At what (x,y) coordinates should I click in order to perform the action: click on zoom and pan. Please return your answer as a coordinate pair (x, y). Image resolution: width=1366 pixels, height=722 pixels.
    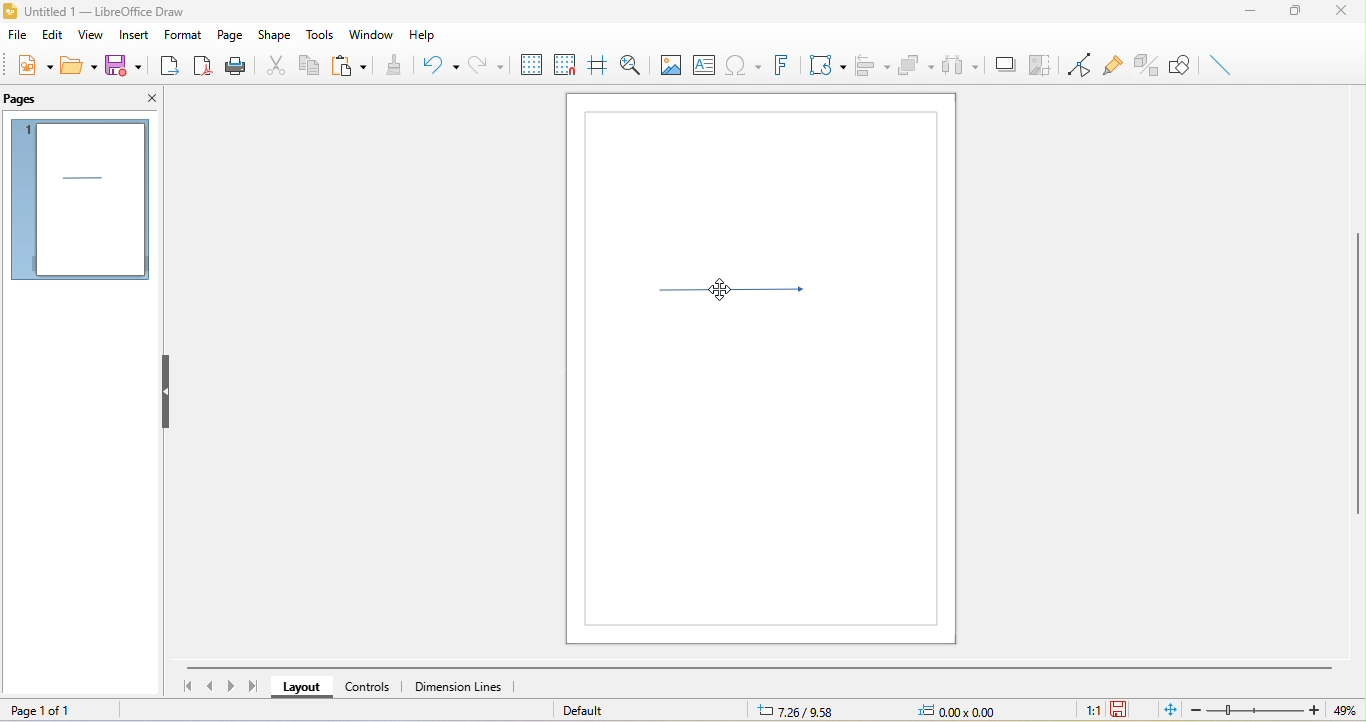
    Looking at the image, I should click on (628, 63).